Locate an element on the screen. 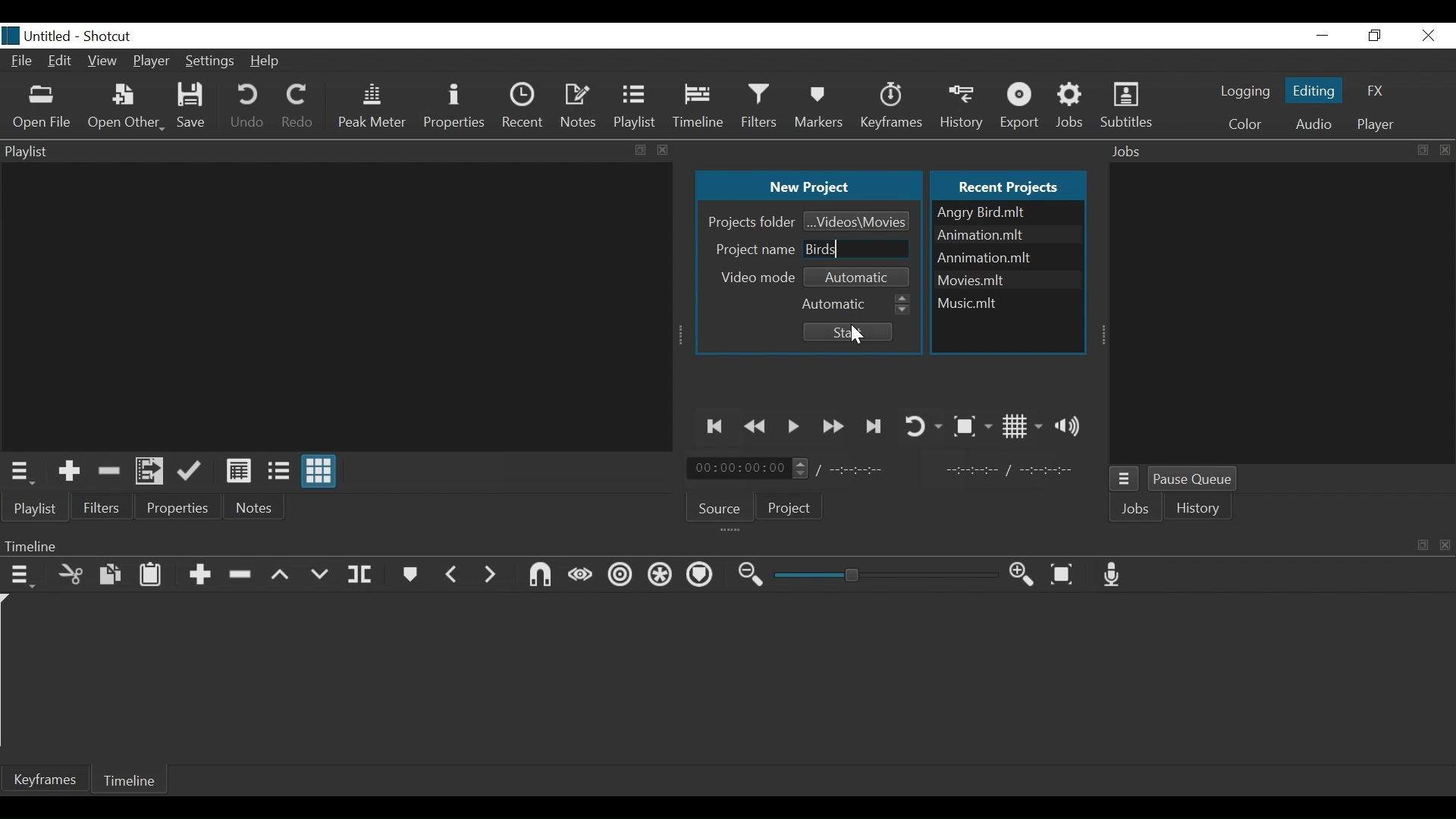 The image size is (1456, 819). Lift is located at coordinates (281, 576).